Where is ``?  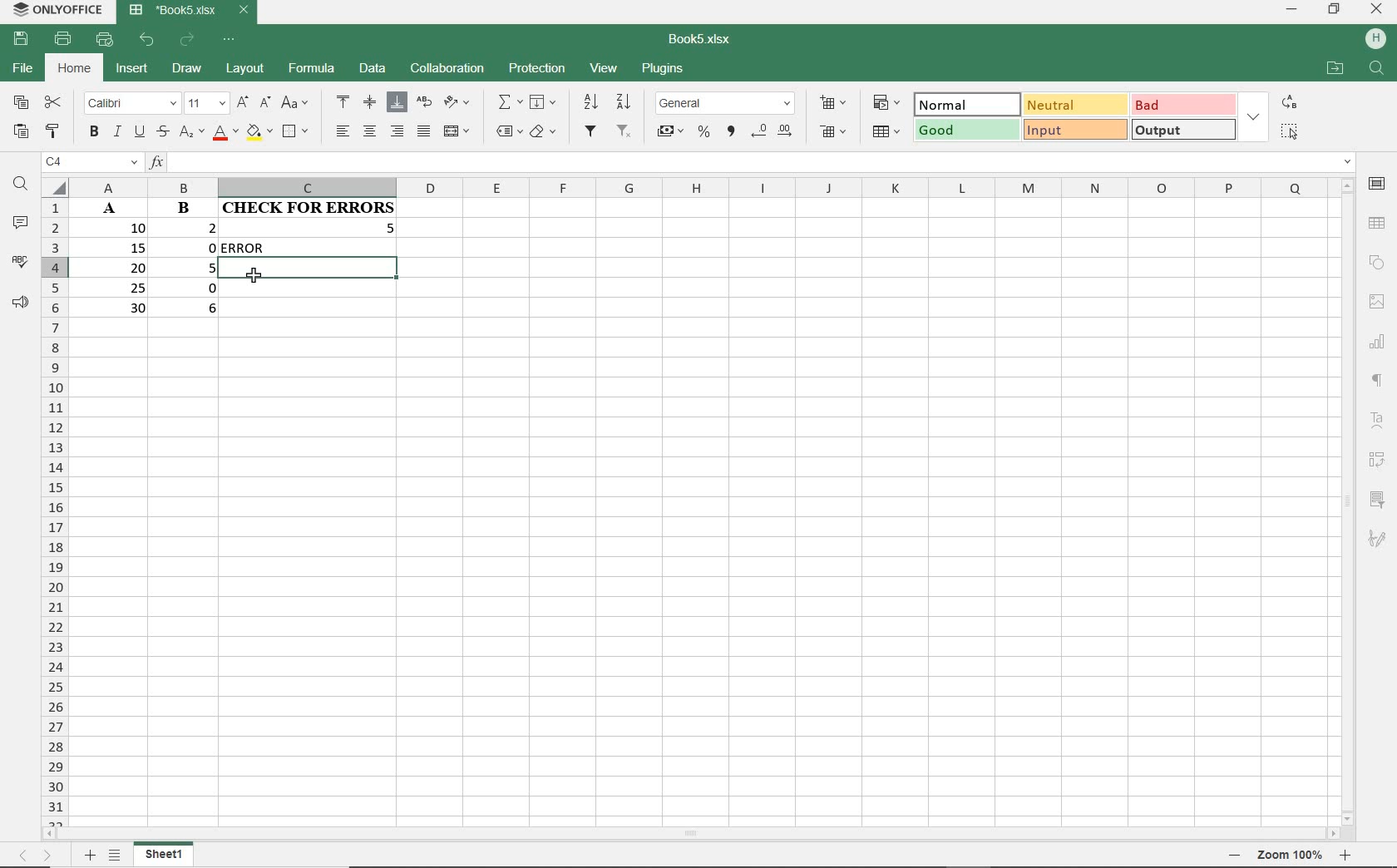
 is located at coordinates (1291, 855).